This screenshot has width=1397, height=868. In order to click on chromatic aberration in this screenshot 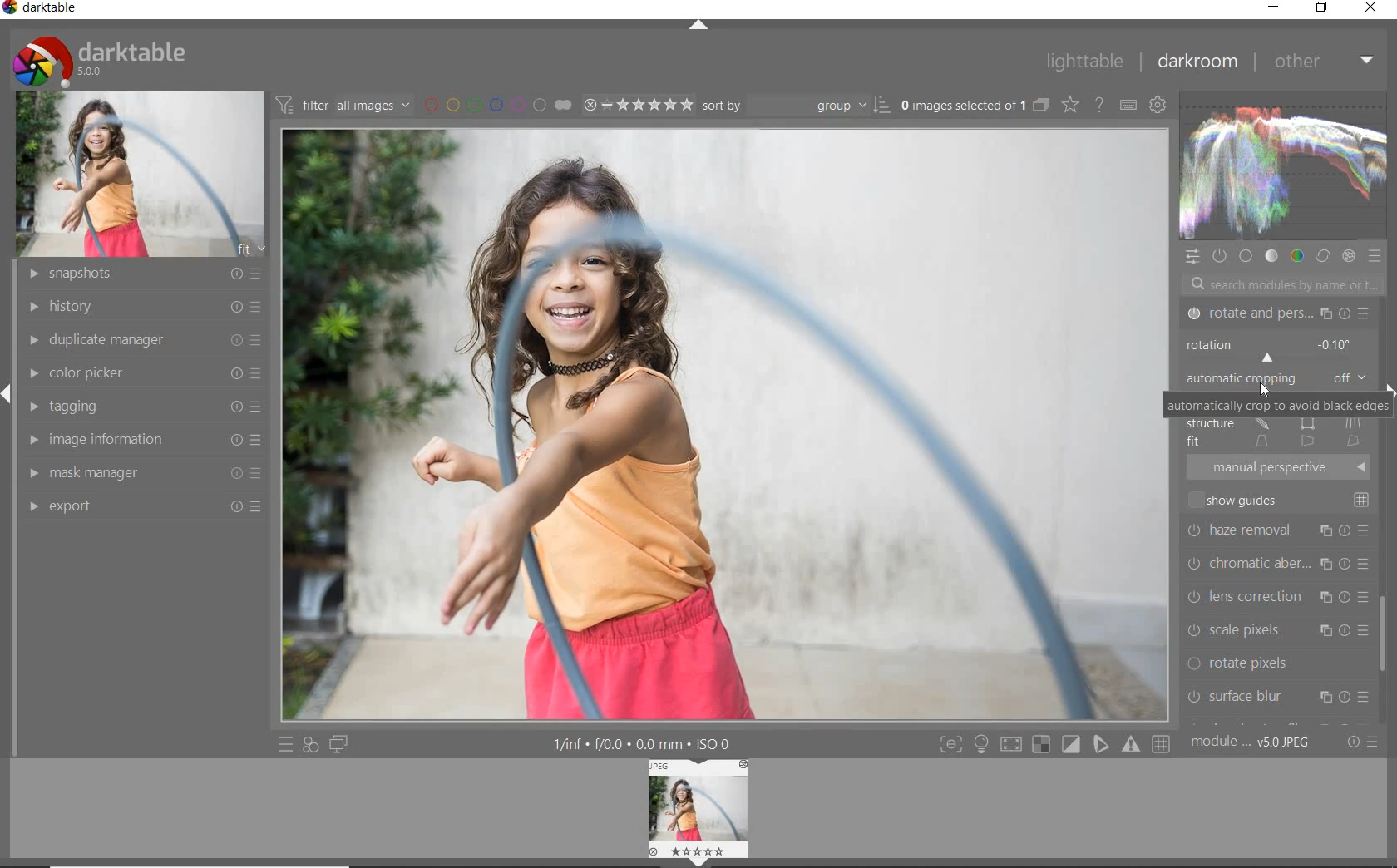, I will do `click(1277, 562)`.